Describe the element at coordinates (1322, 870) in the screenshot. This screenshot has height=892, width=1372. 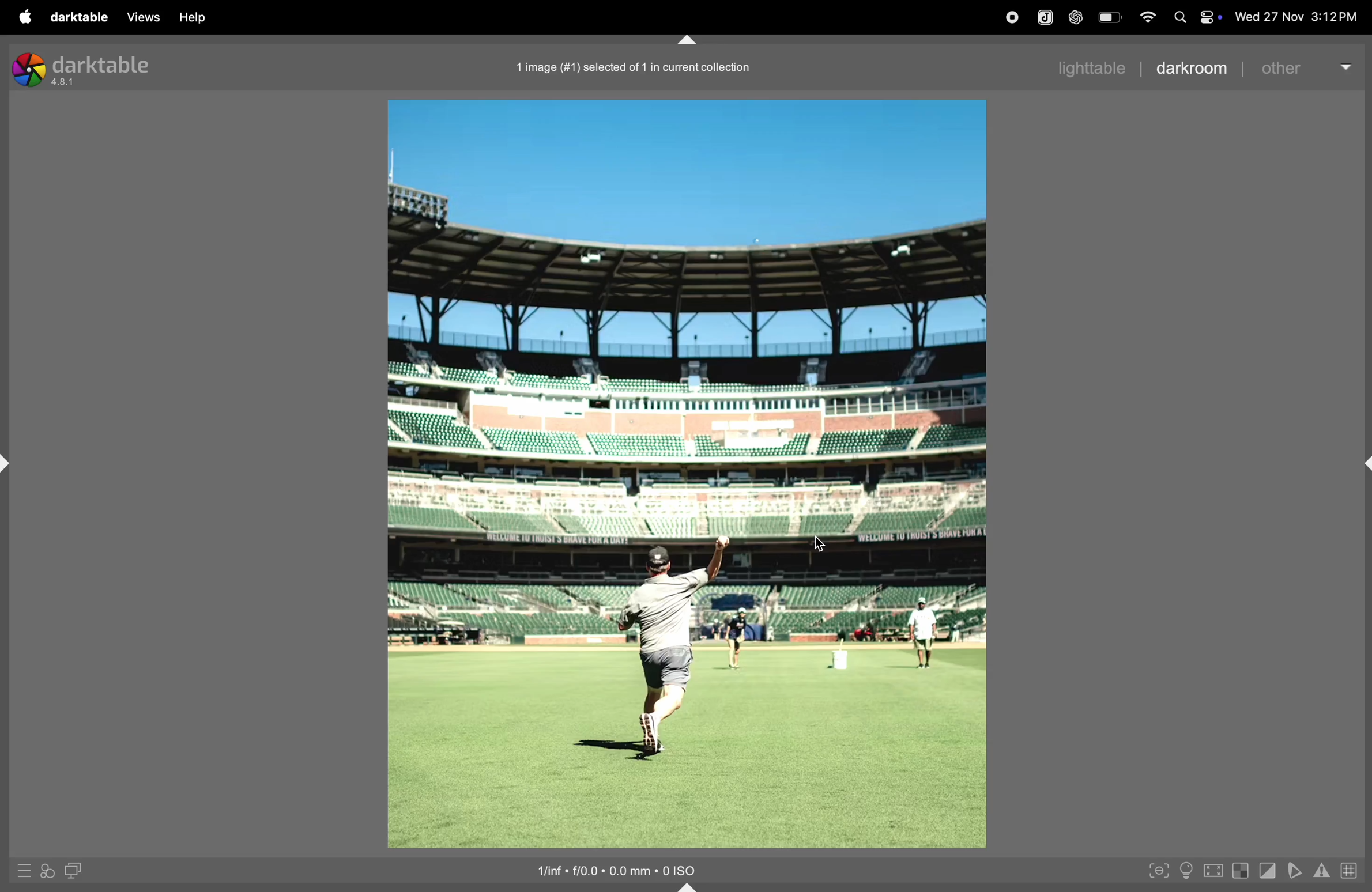
I see `attention` at that location.